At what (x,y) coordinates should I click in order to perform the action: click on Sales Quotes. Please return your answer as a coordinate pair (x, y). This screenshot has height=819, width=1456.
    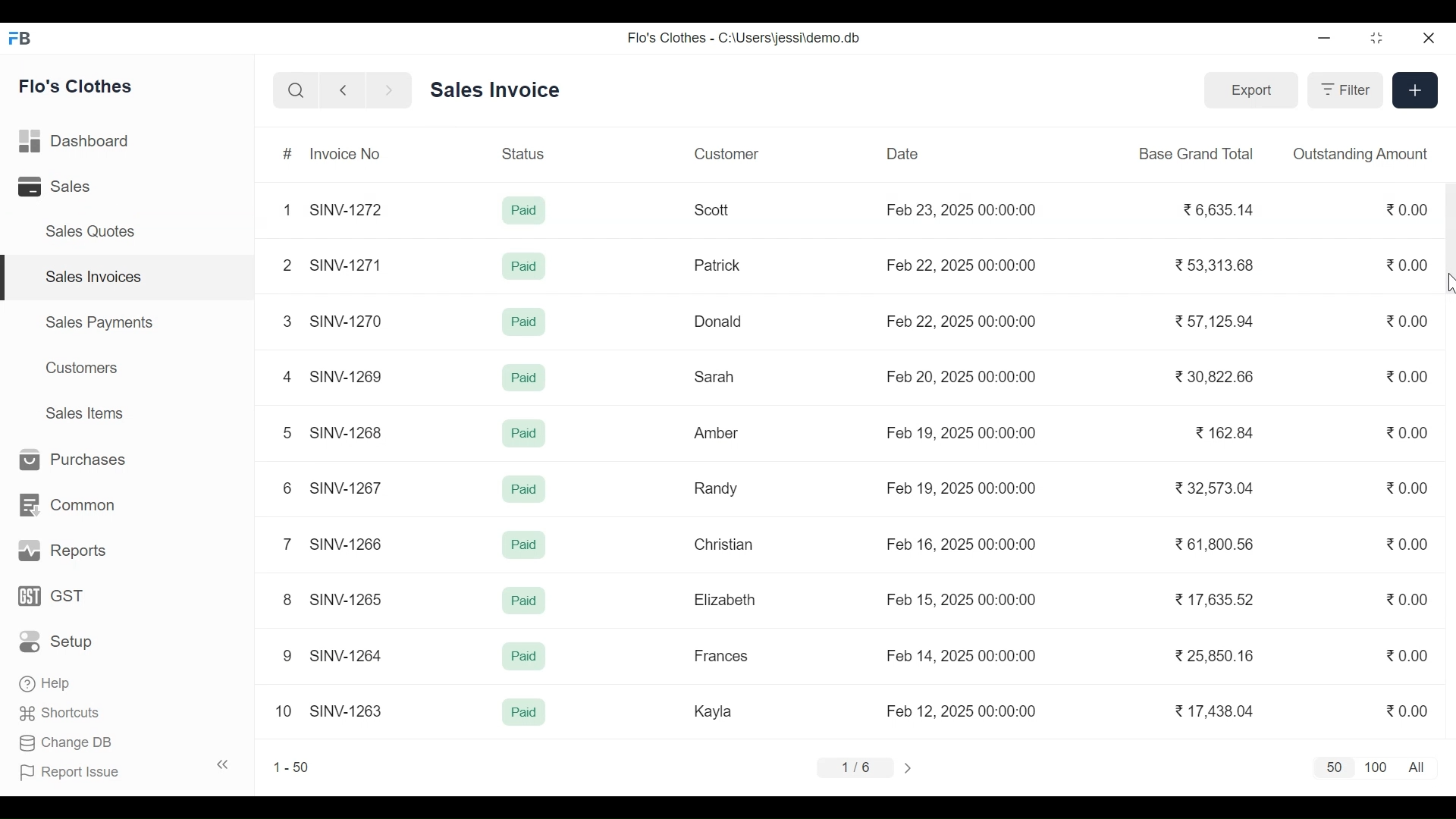
    Looking at the image, I should click on (88, 231).